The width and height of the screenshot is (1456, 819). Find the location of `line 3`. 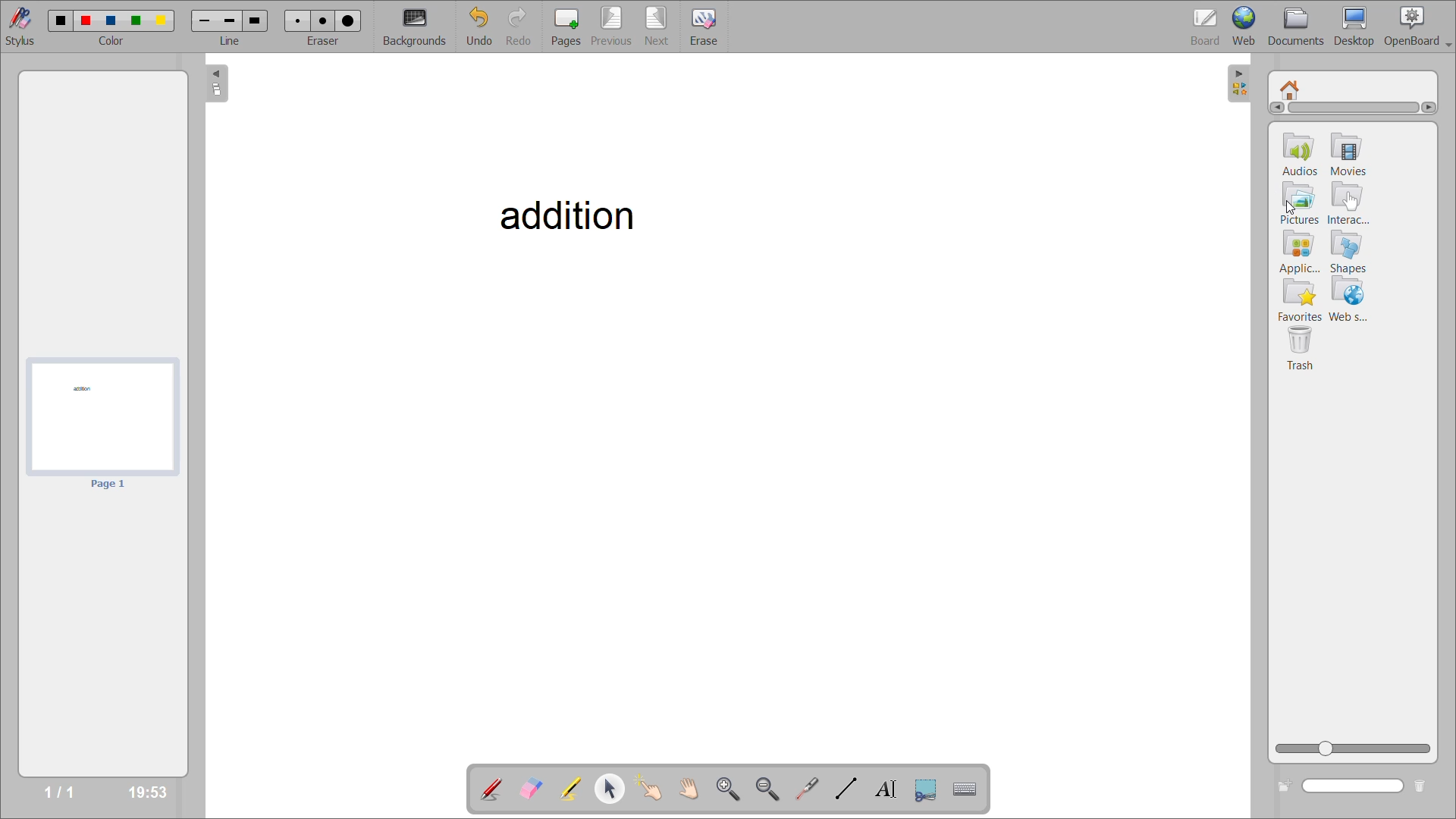

line 3 is located at coordinates (254, 20).